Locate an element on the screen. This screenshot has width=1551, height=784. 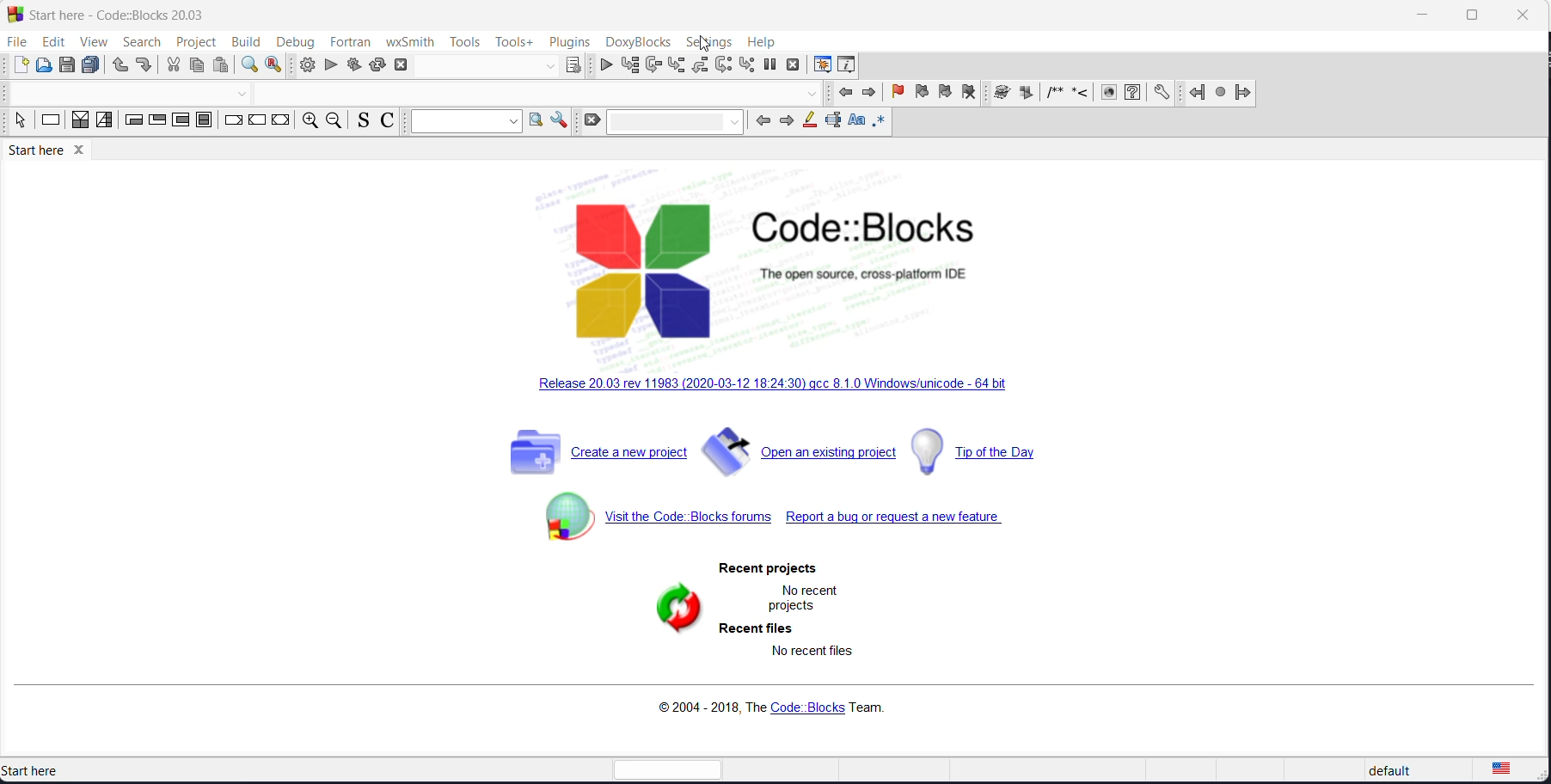
build and run is located at coordinates (352, 66).